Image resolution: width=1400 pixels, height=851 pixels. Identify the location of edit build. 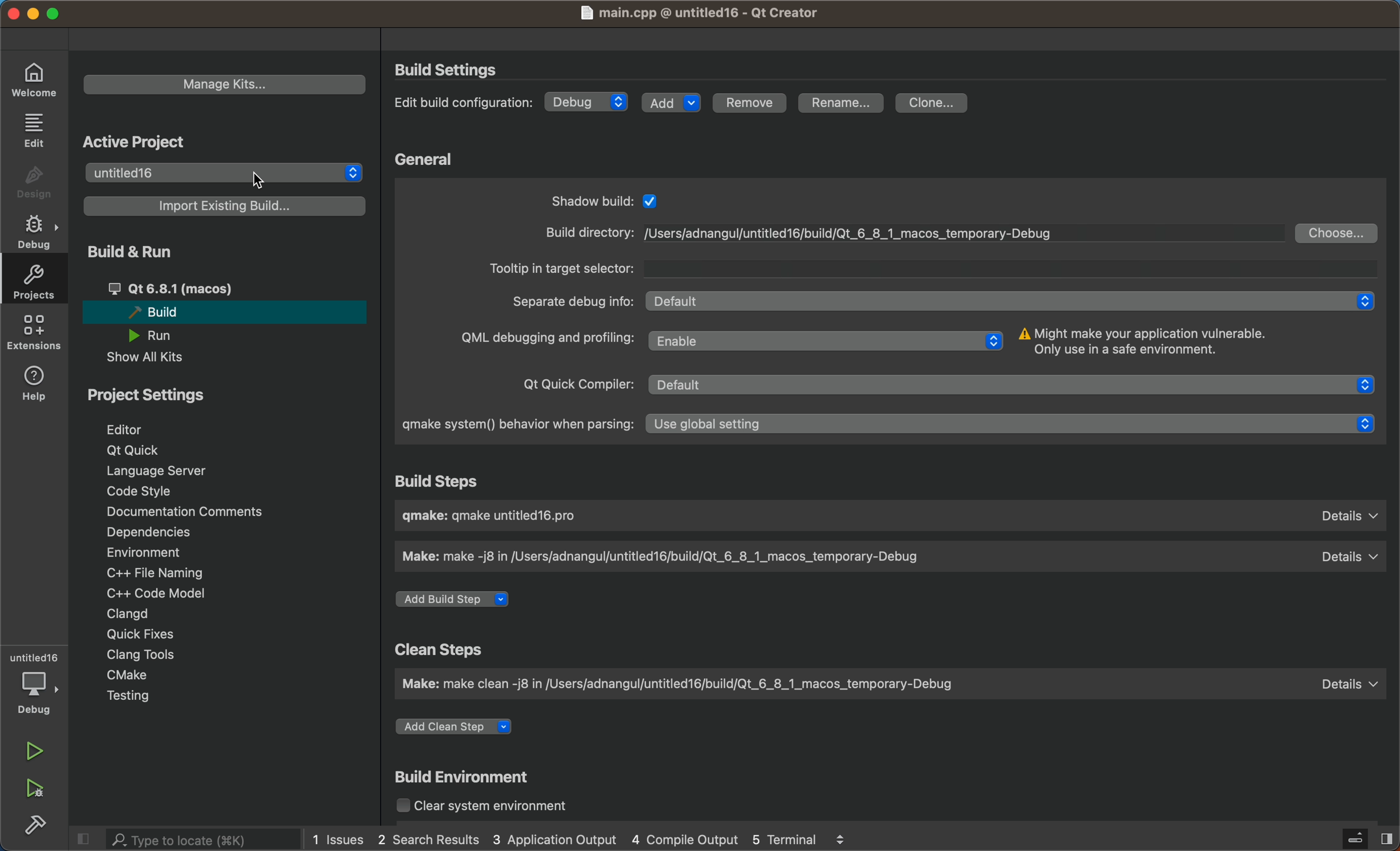
(465, 102).